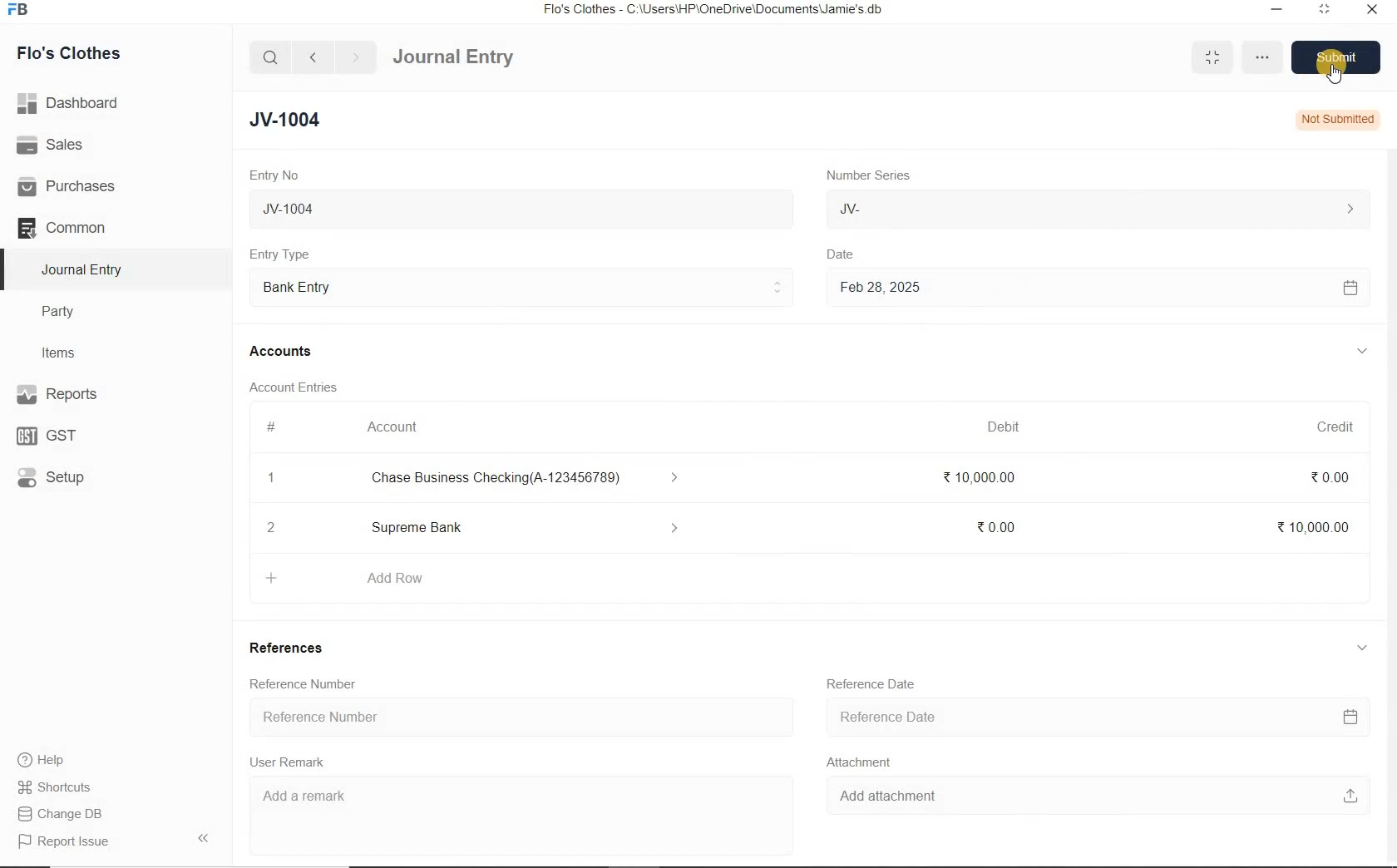  What do you see at coordinates (74, 185) in the screenshot?
I see `Purchases` at bounding box center [74, 185].